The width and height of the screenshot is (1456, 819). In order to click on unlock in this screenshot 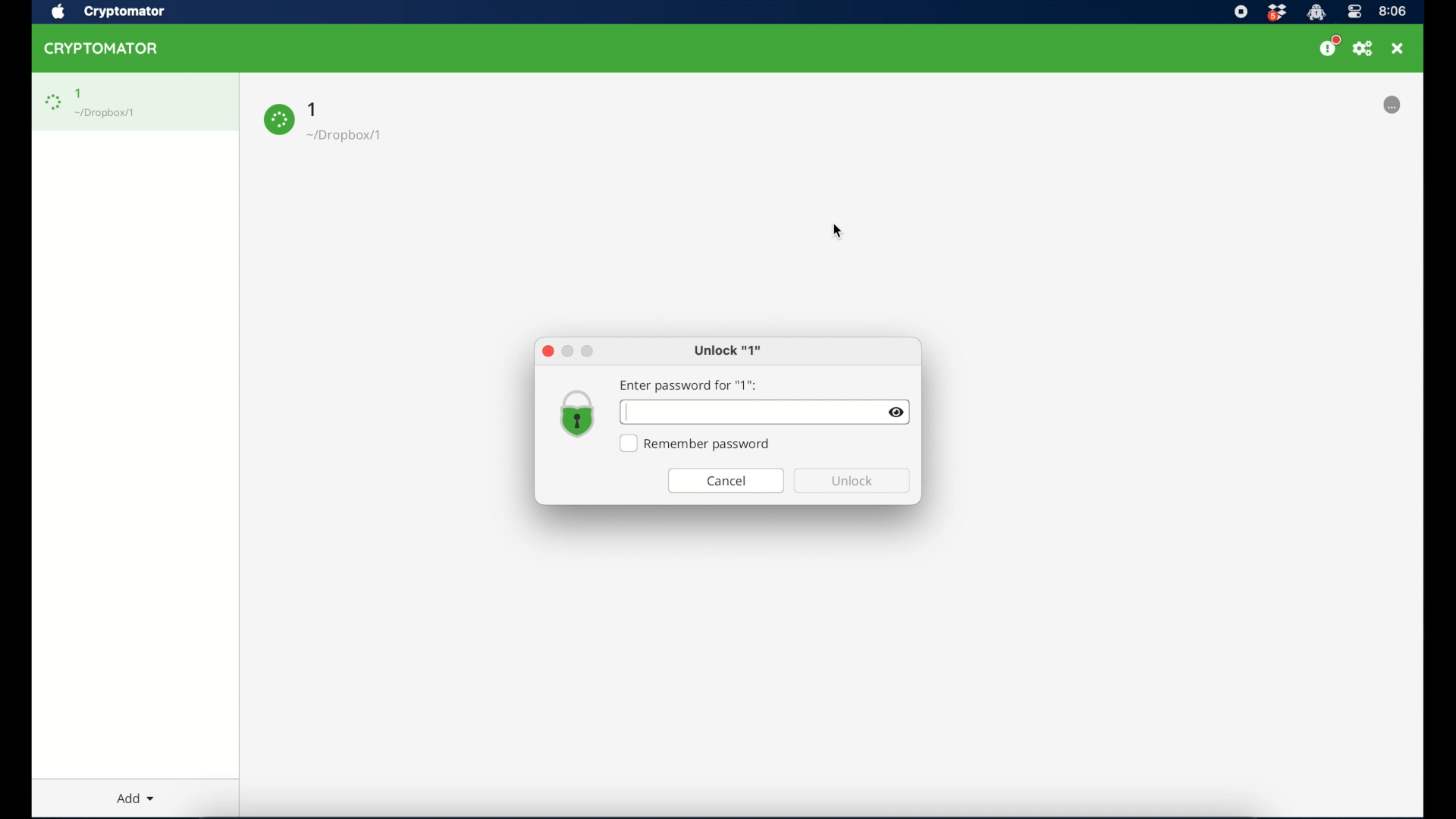, I will do `click(853, 481)`.